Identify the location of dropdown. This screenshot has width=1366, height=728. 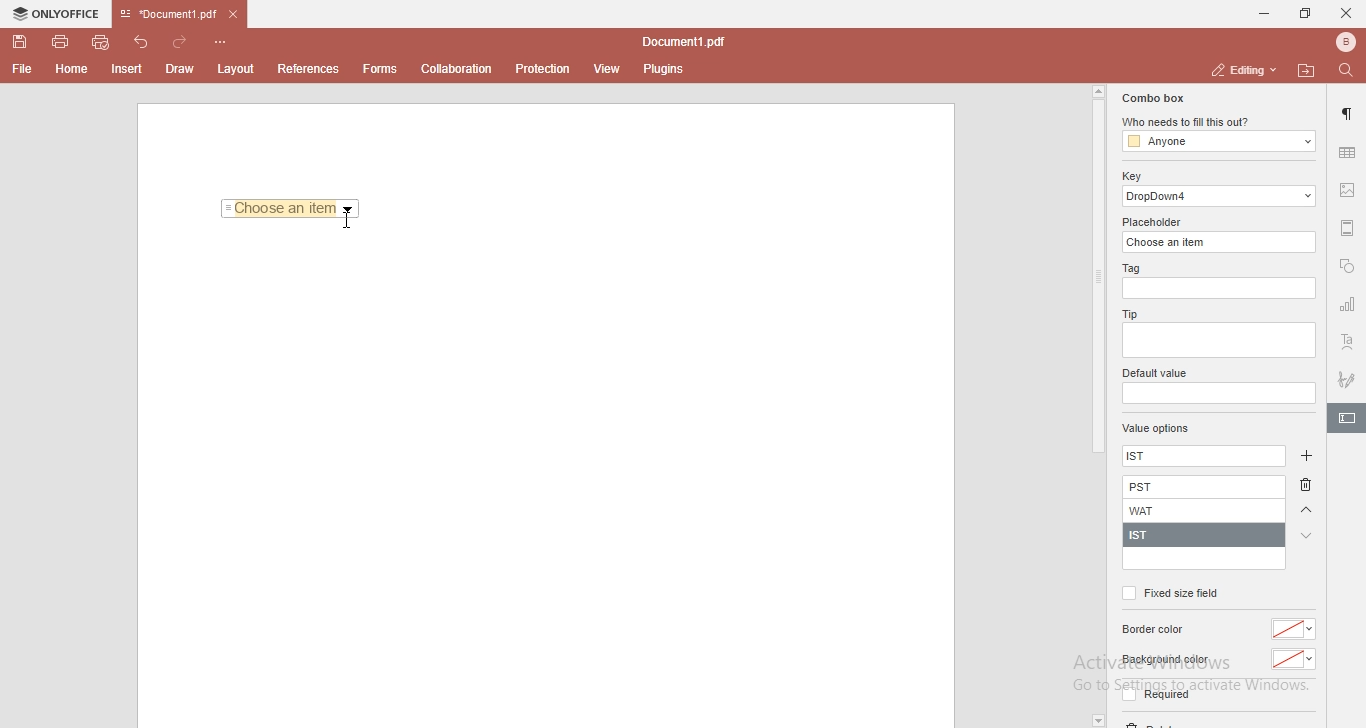
(1097, 720).